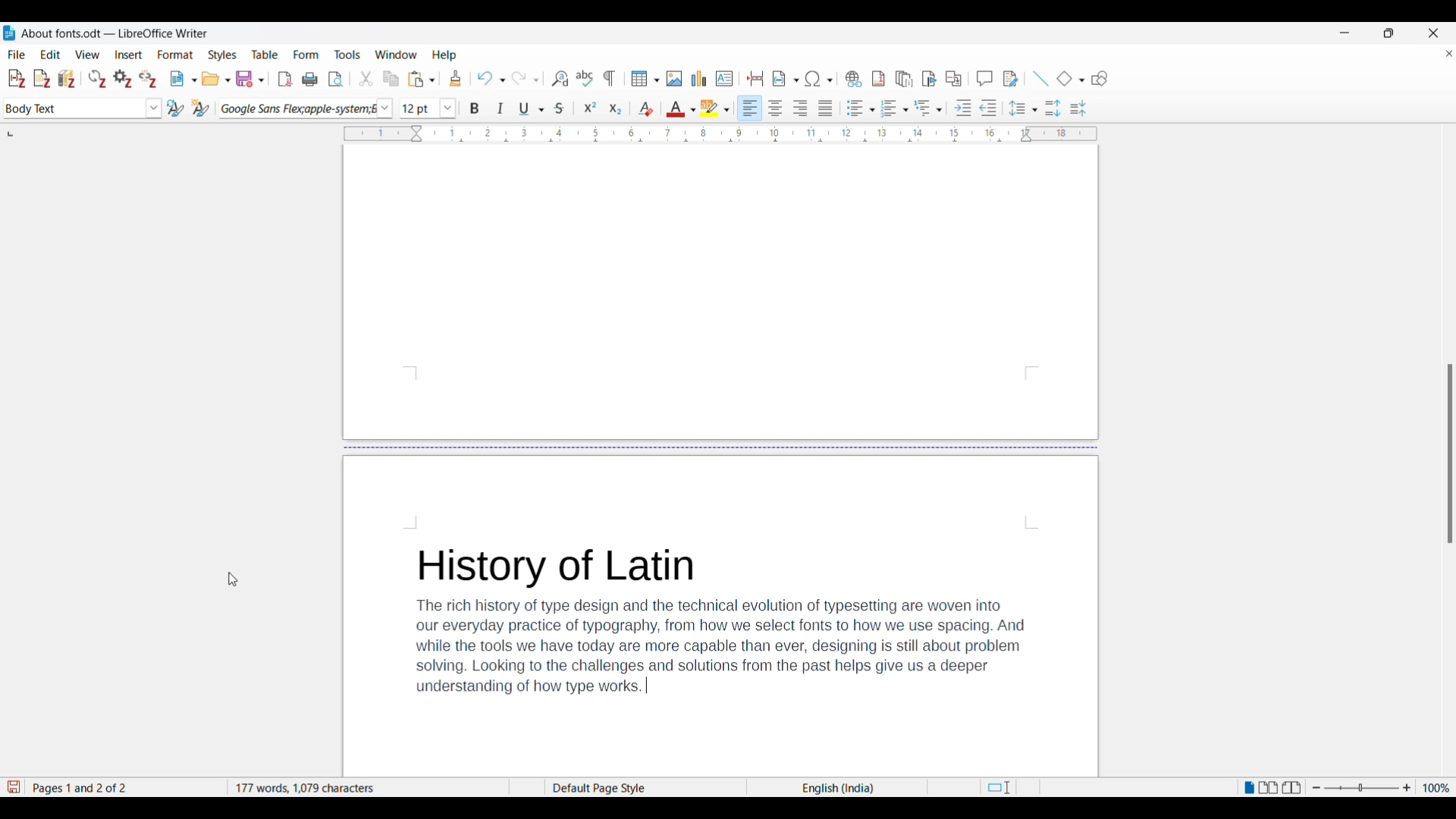 This screenshot has height=819, width=1456. What do you see at coordinates (74, 109) in the screenshot?
I see `Current paragraph selection` at bounding box center [74, 109].